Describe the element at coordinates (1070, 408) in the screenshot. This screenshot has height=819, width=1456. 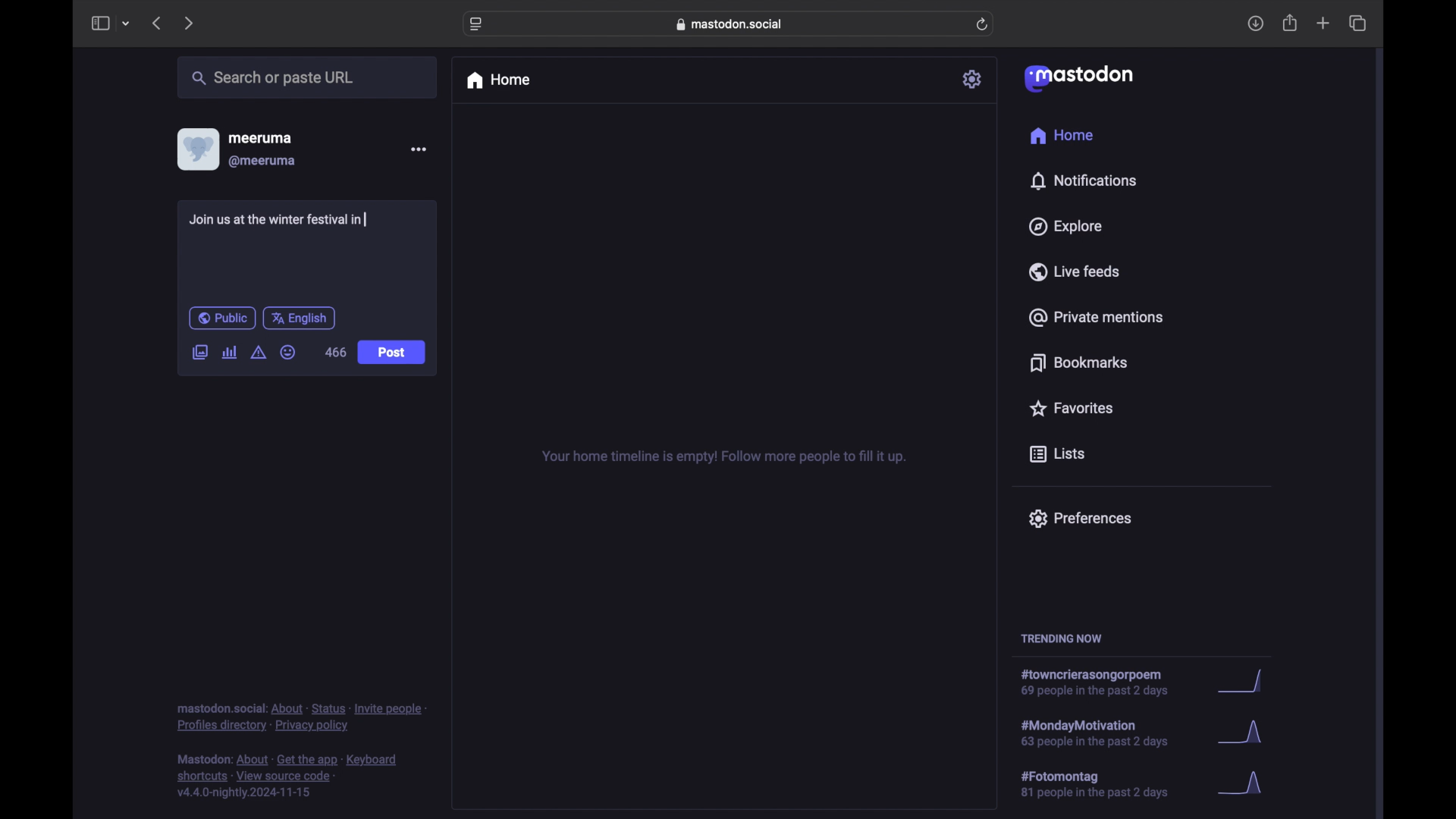
I see `favorites` at that location.